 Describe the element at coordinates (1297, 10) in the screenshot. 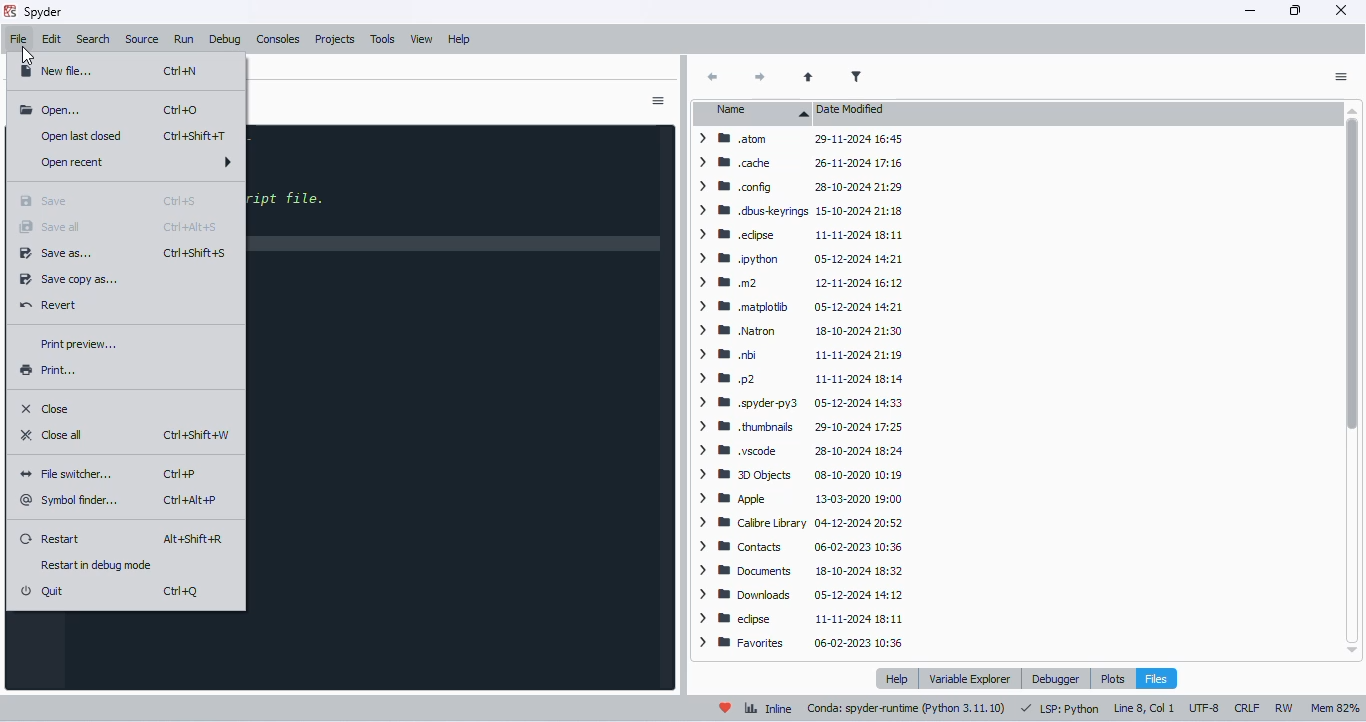

I see `maximize` at that location.